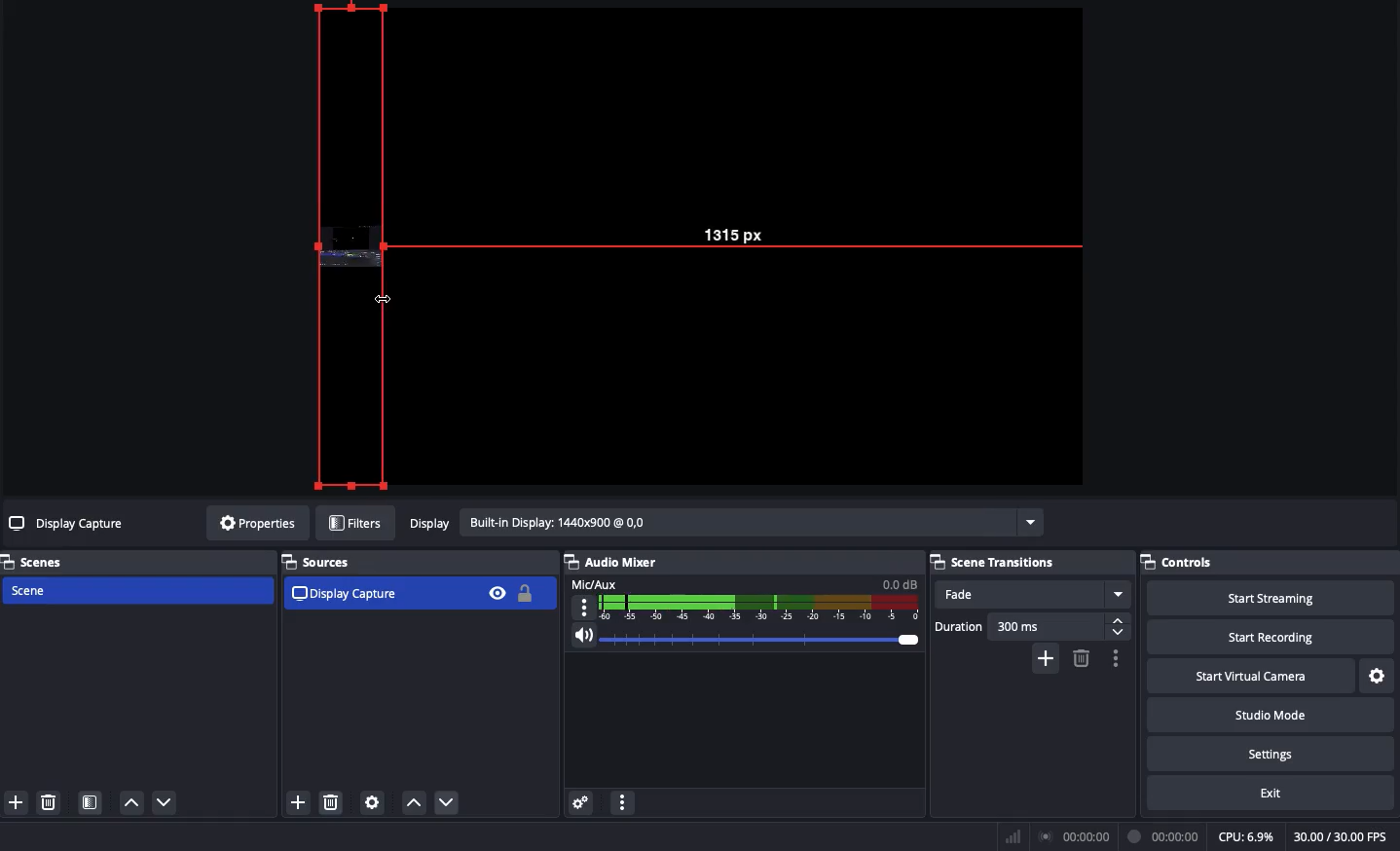 The width and height of the screenshot is (1400, 851). What do you see at coordinates (323, 562) in the screenshot?
I see `Sources` at bounding box center [323, 562].